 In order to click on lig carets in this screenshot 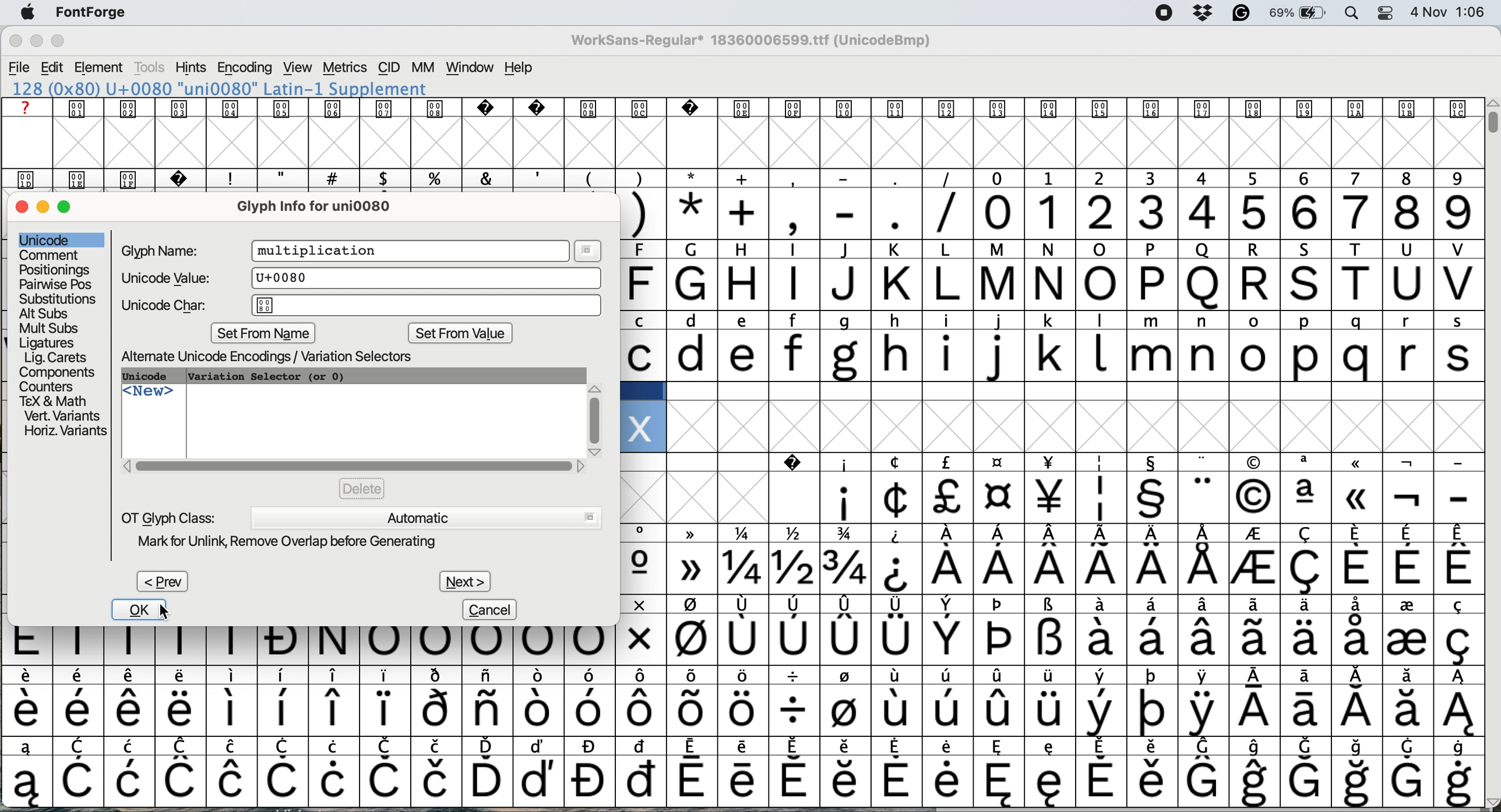, I will do `click(54, 357)`.